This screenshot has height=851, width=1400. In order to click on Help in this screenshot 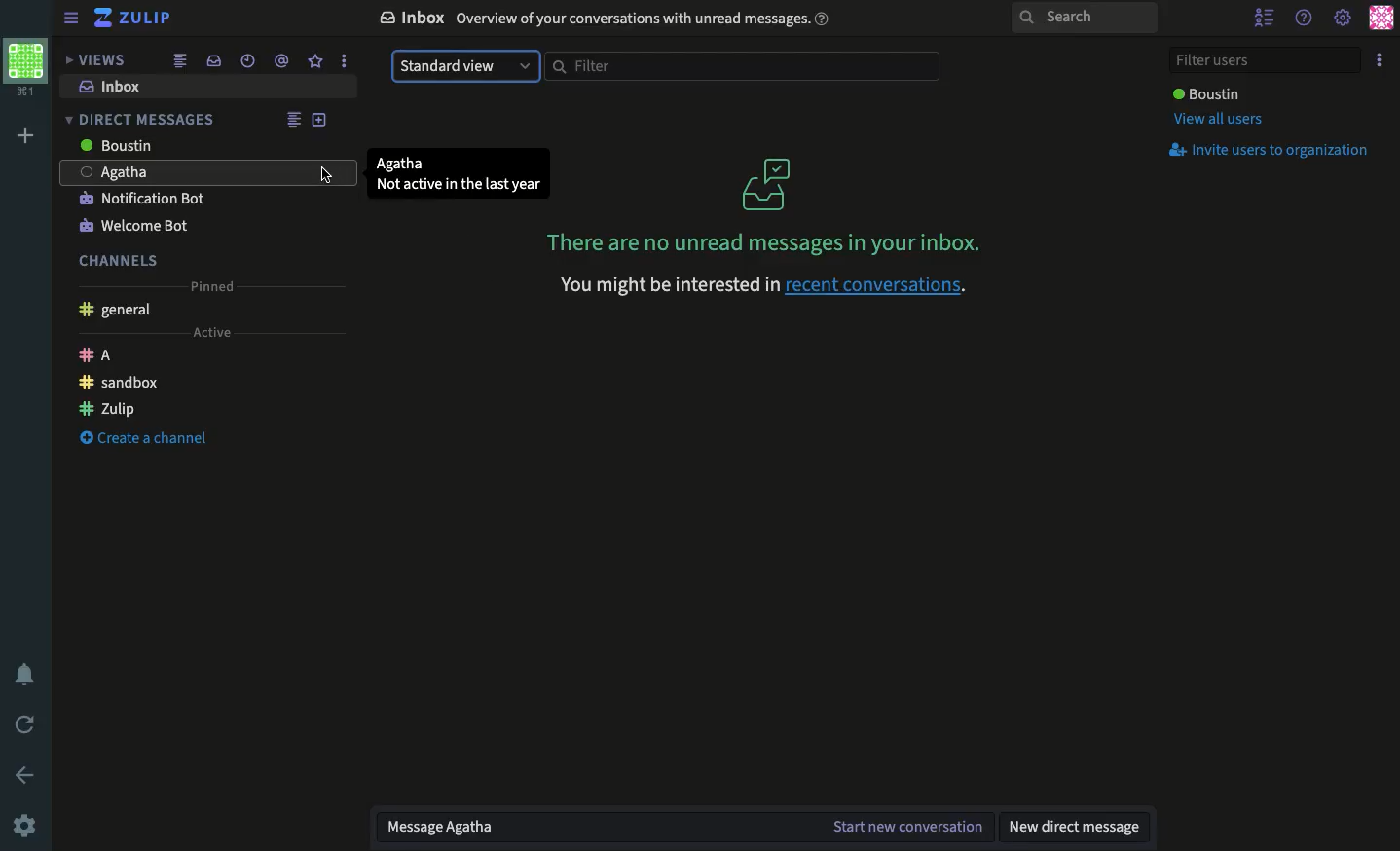, I will do `click(1303, 18)`.